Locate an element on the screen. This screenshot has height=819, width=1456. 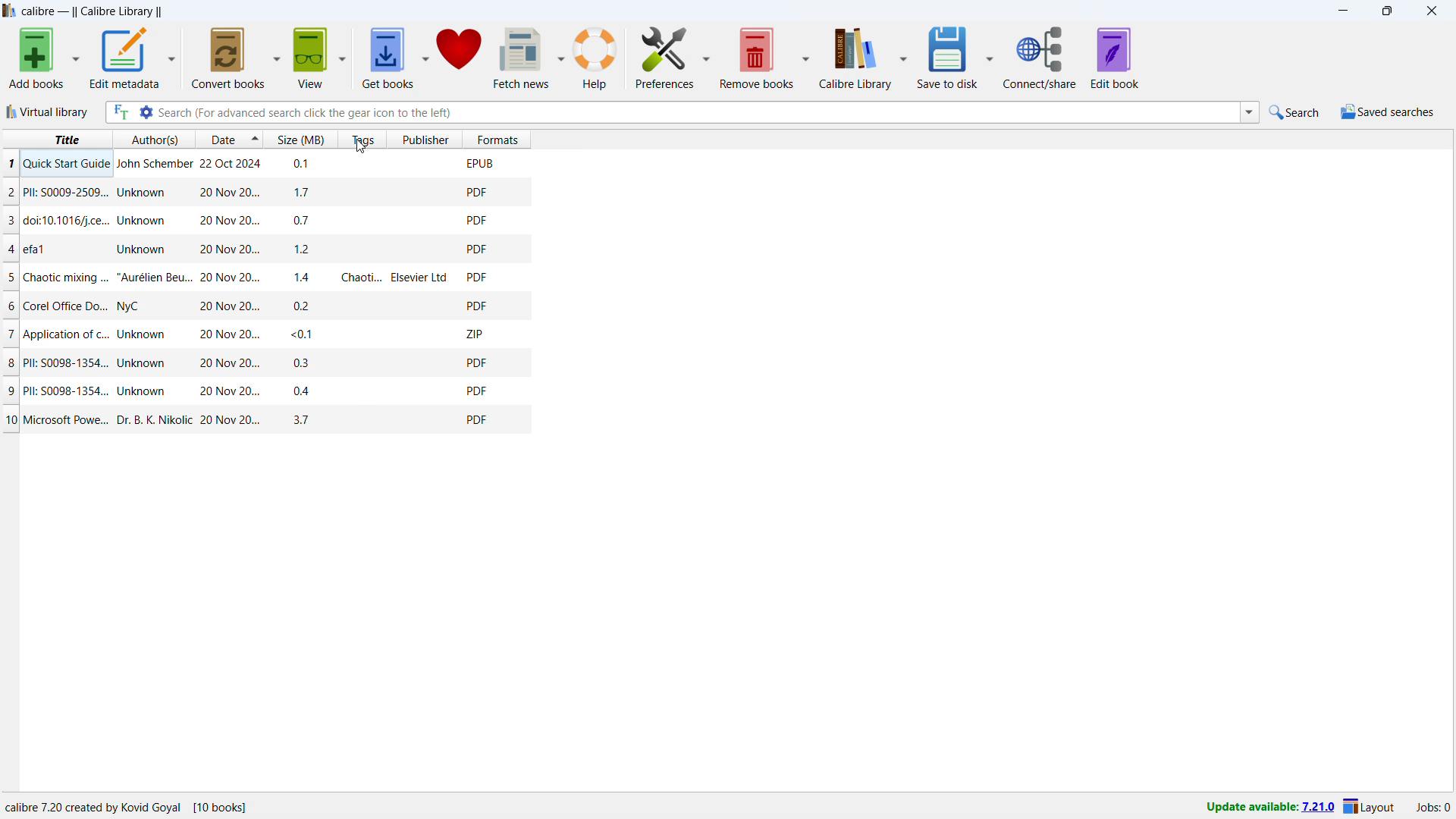
sort by formats is located at coordinates (497, 139).